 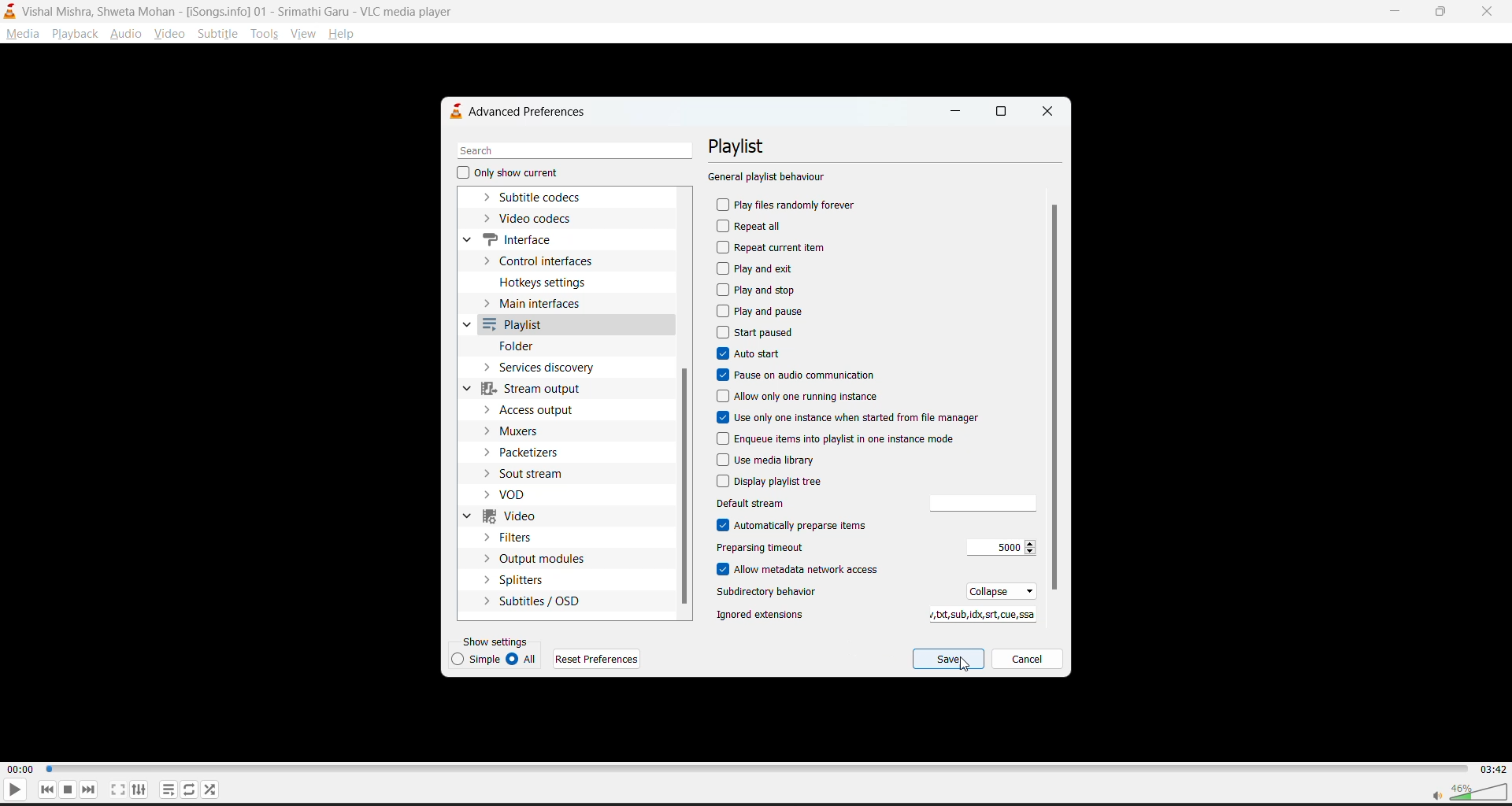 What do you see at coordinates (517, 580) in the screenshot?
I see `splitters` at bounding box center [517, 580].